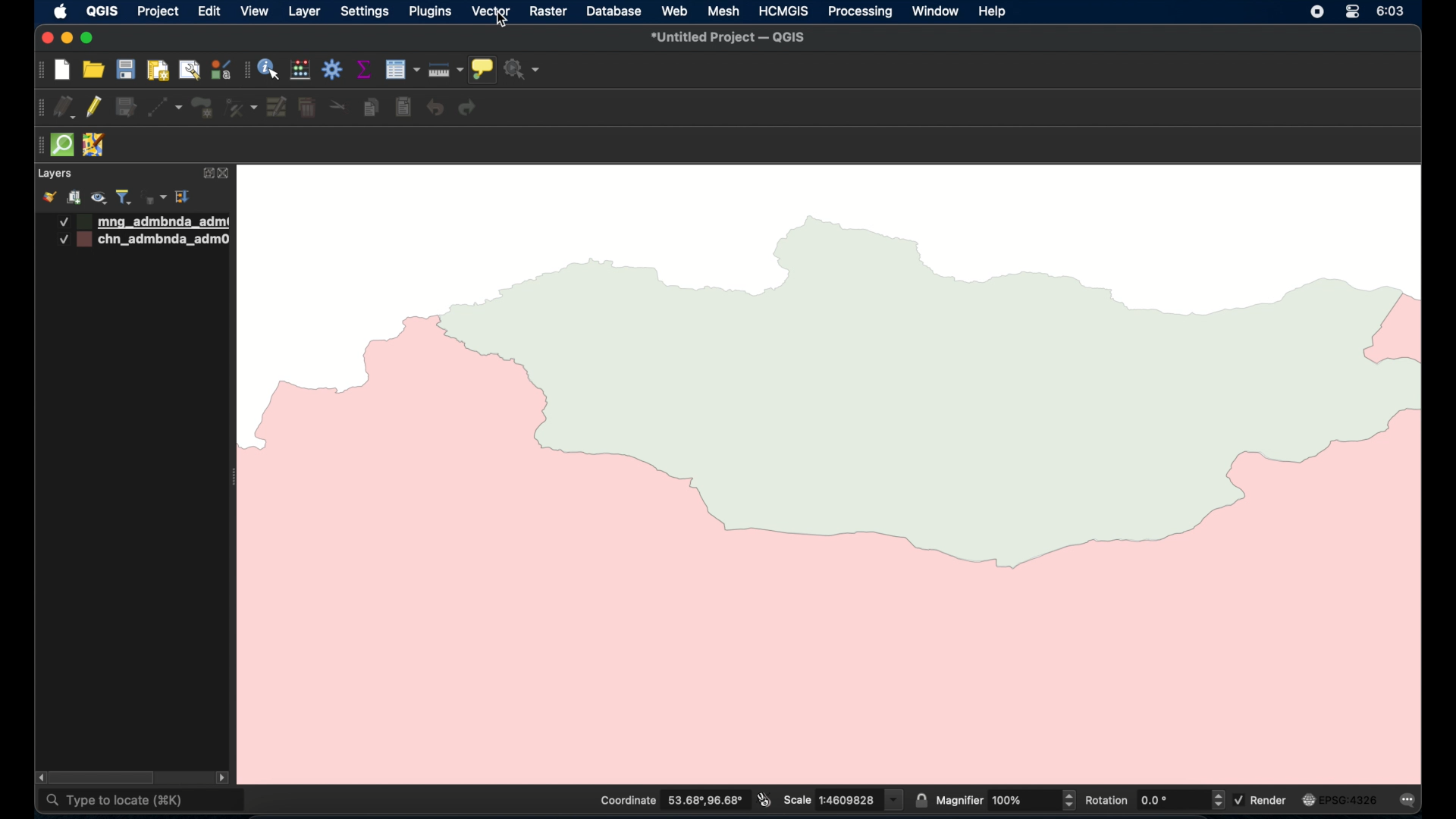 This screenshot has height=819, width=1456. Describe the element at coordinates (127, 108) in the screenshot. I see `save edits` at that location.